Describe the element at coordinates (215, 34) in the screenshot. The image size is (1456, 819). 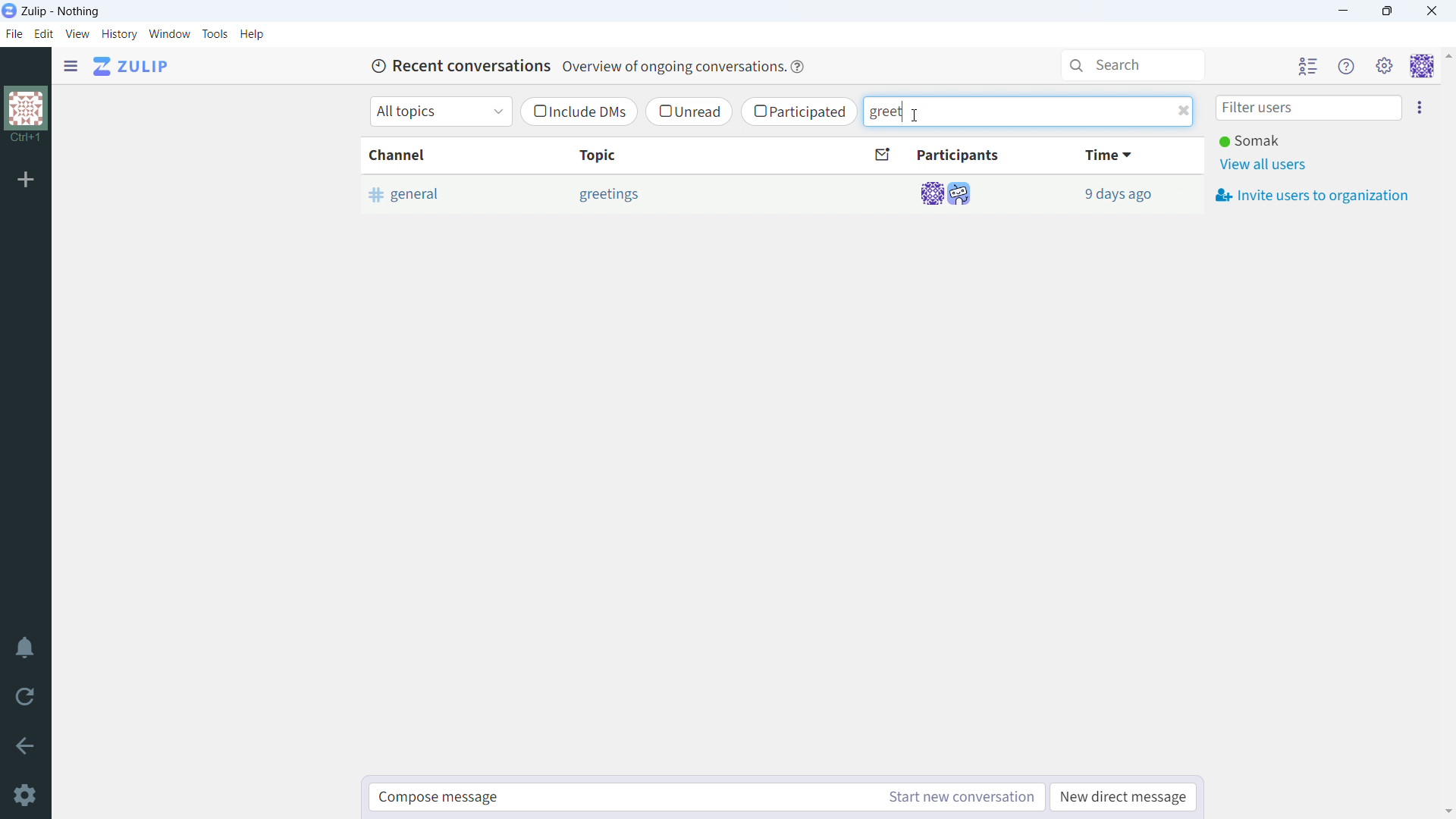
I see `tools` at that location.